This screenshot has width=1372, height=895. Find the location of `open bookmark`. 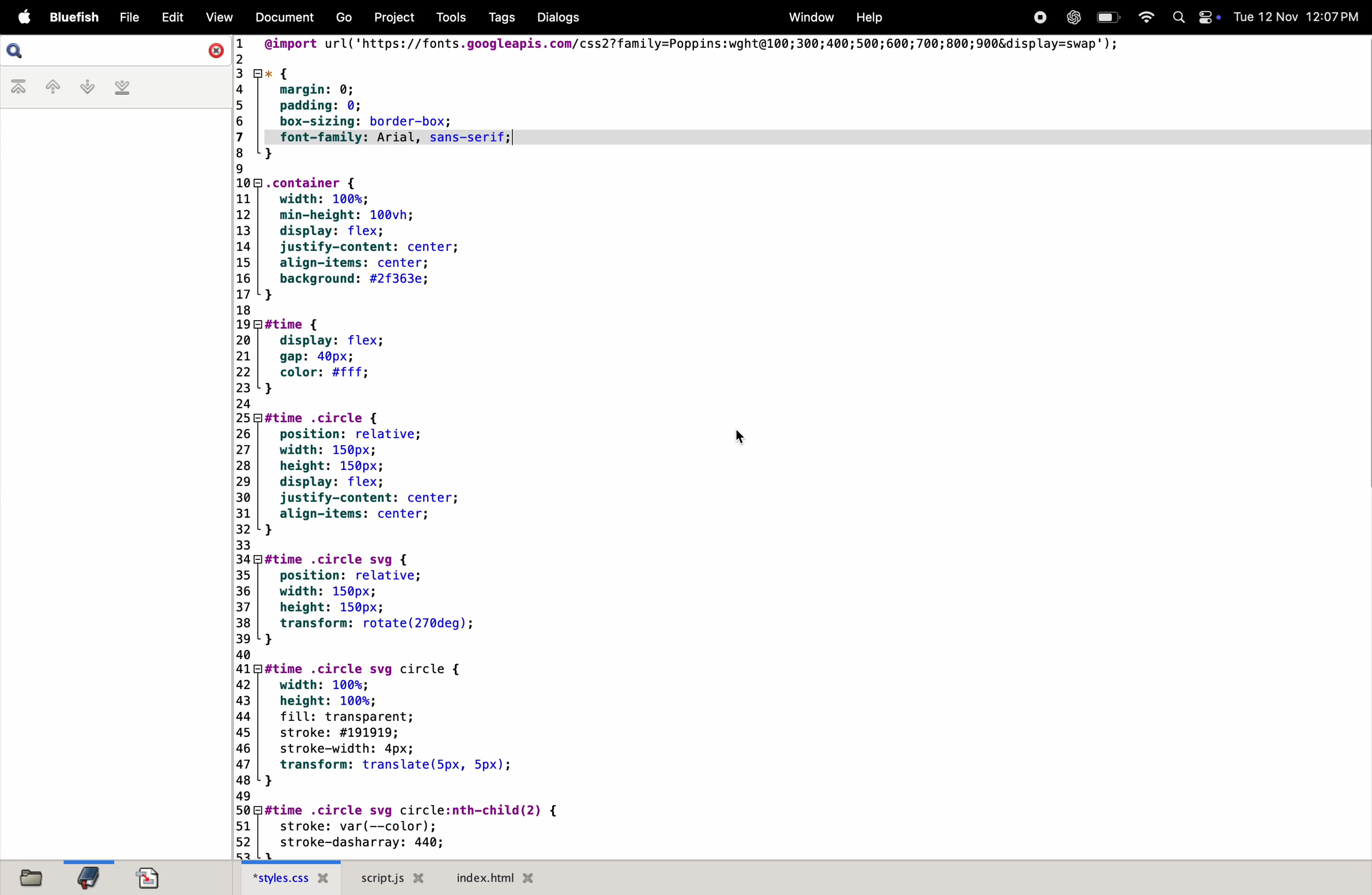

open bookmark is located at coordinates (89, 877).